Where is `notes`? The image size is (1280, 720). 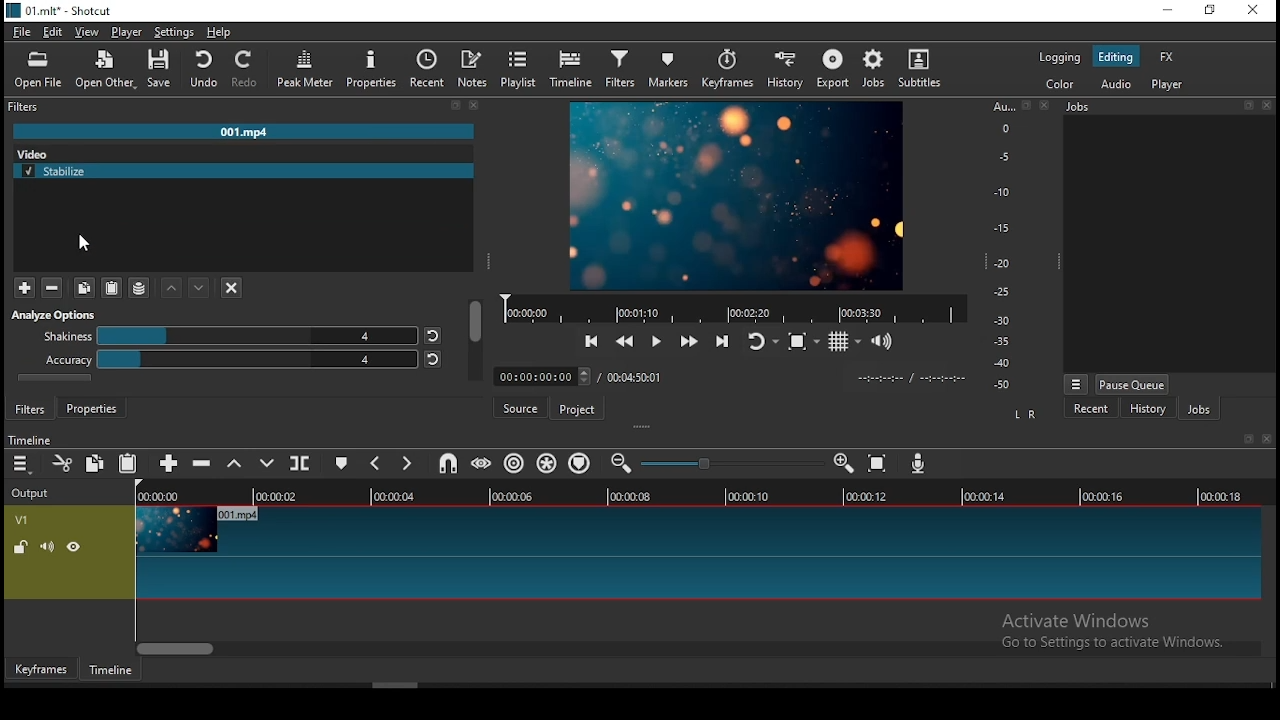
notes is located at coordinates (472, 68).